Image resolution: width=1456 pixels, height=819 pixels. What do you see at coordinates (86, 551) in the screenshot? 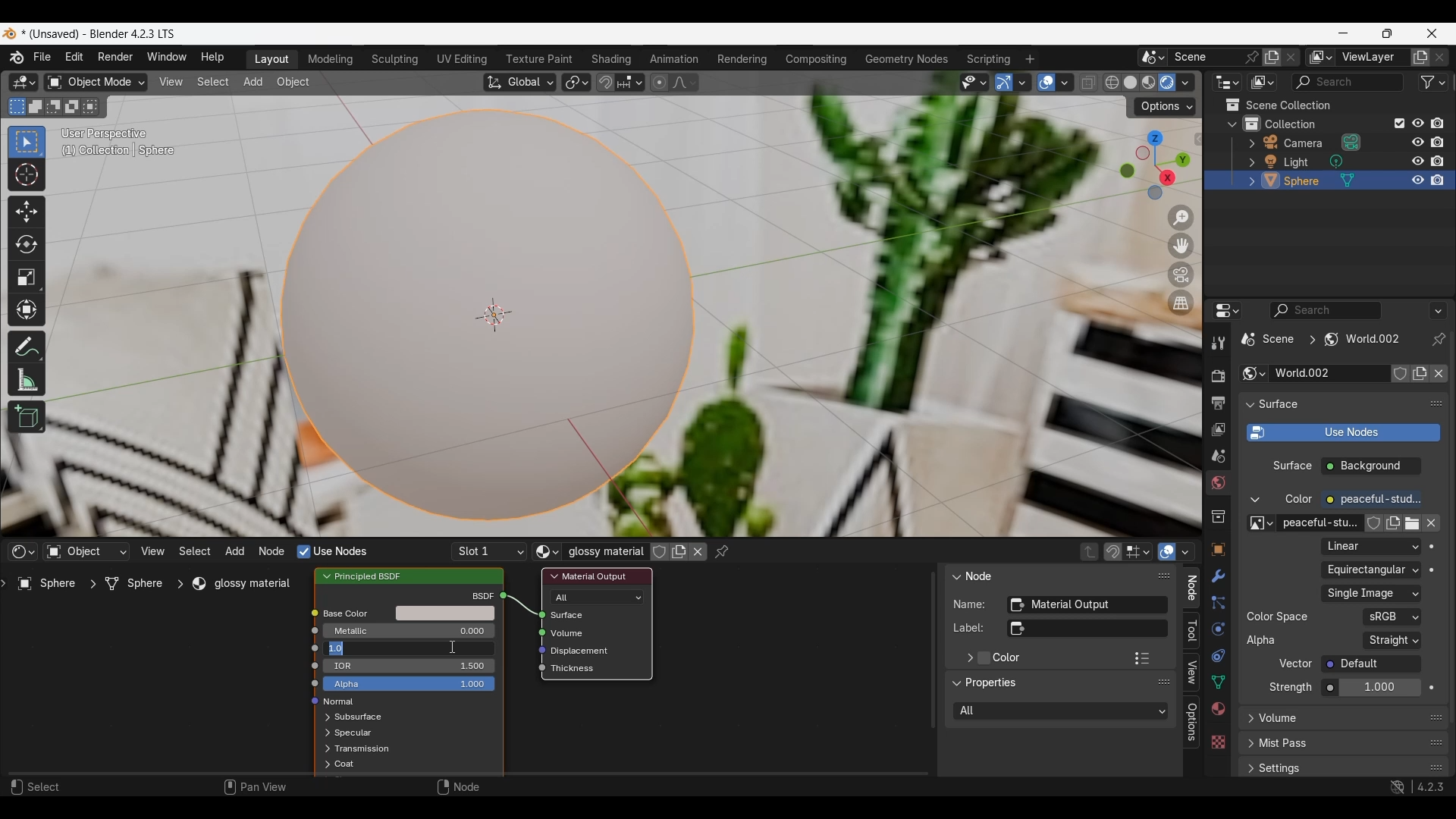
I see `Type of data to take shader from` at bounding box center [86, 551].